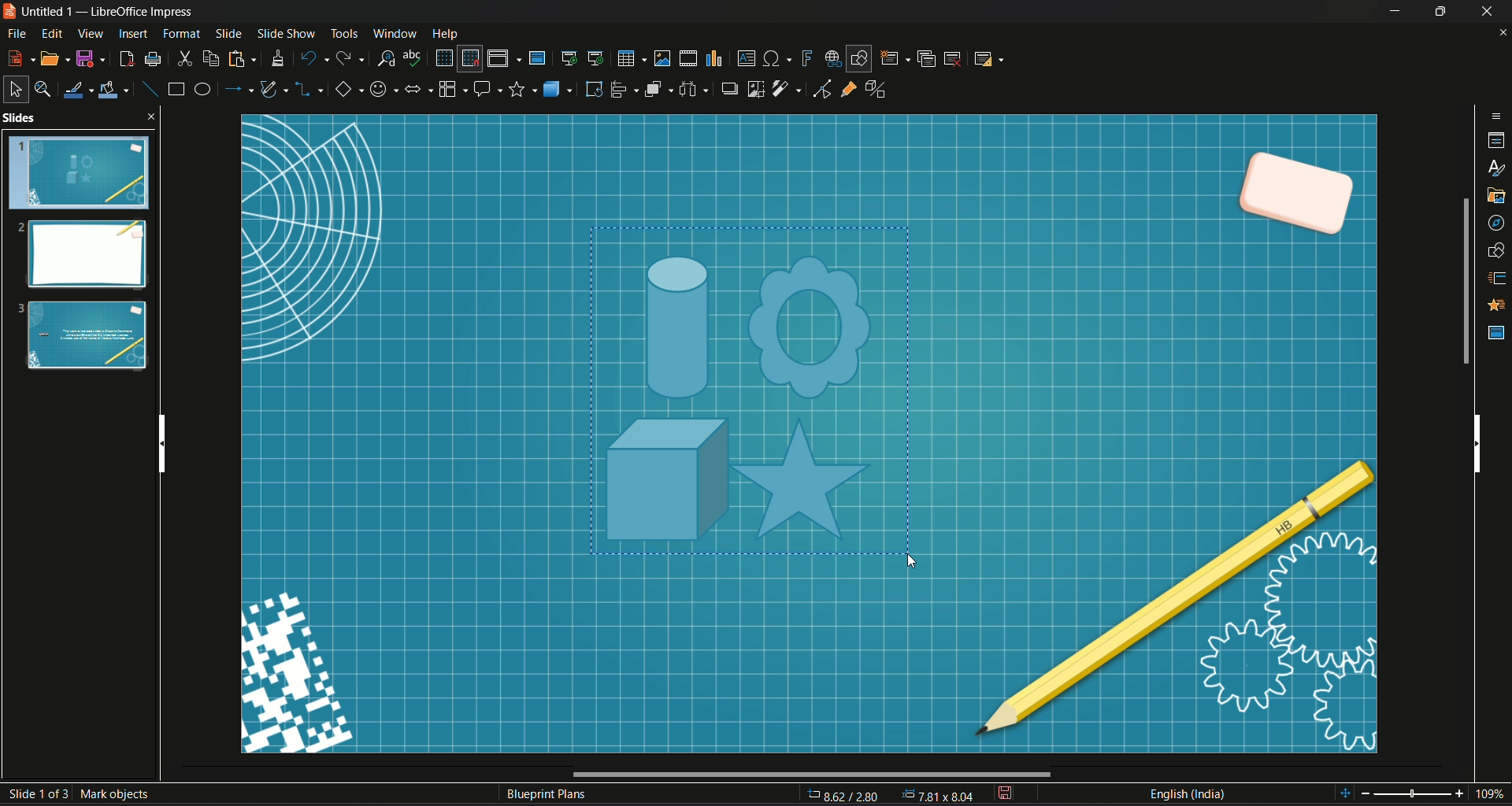 This screenshot has width=1512, height=806. What do you see at coordinates (185, 59) in the screenshot?
I see `cut` at bounding box center [185, 59].